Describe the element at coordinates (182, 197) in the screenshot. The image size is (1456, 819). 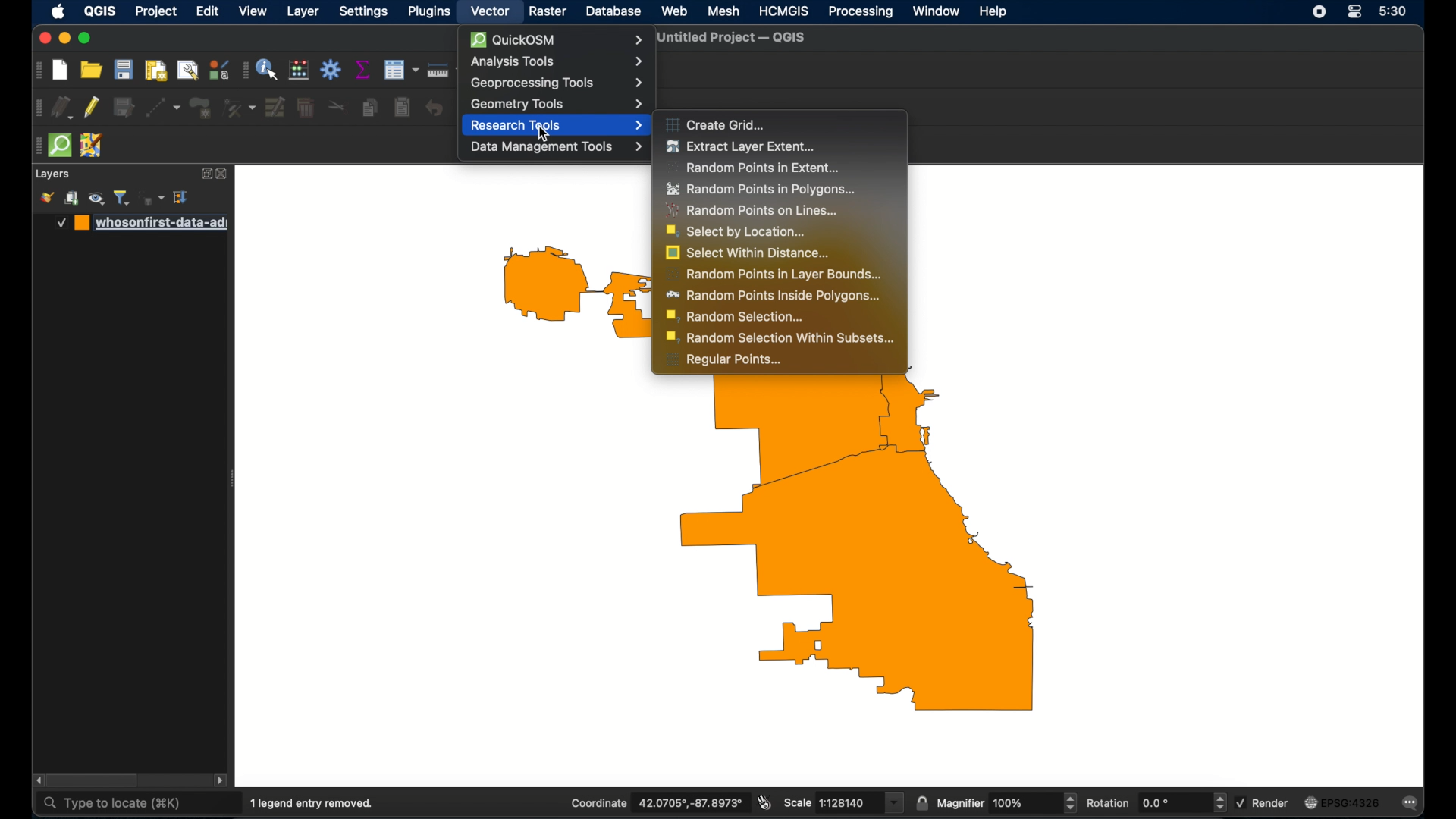
I see `expand all` at that location.